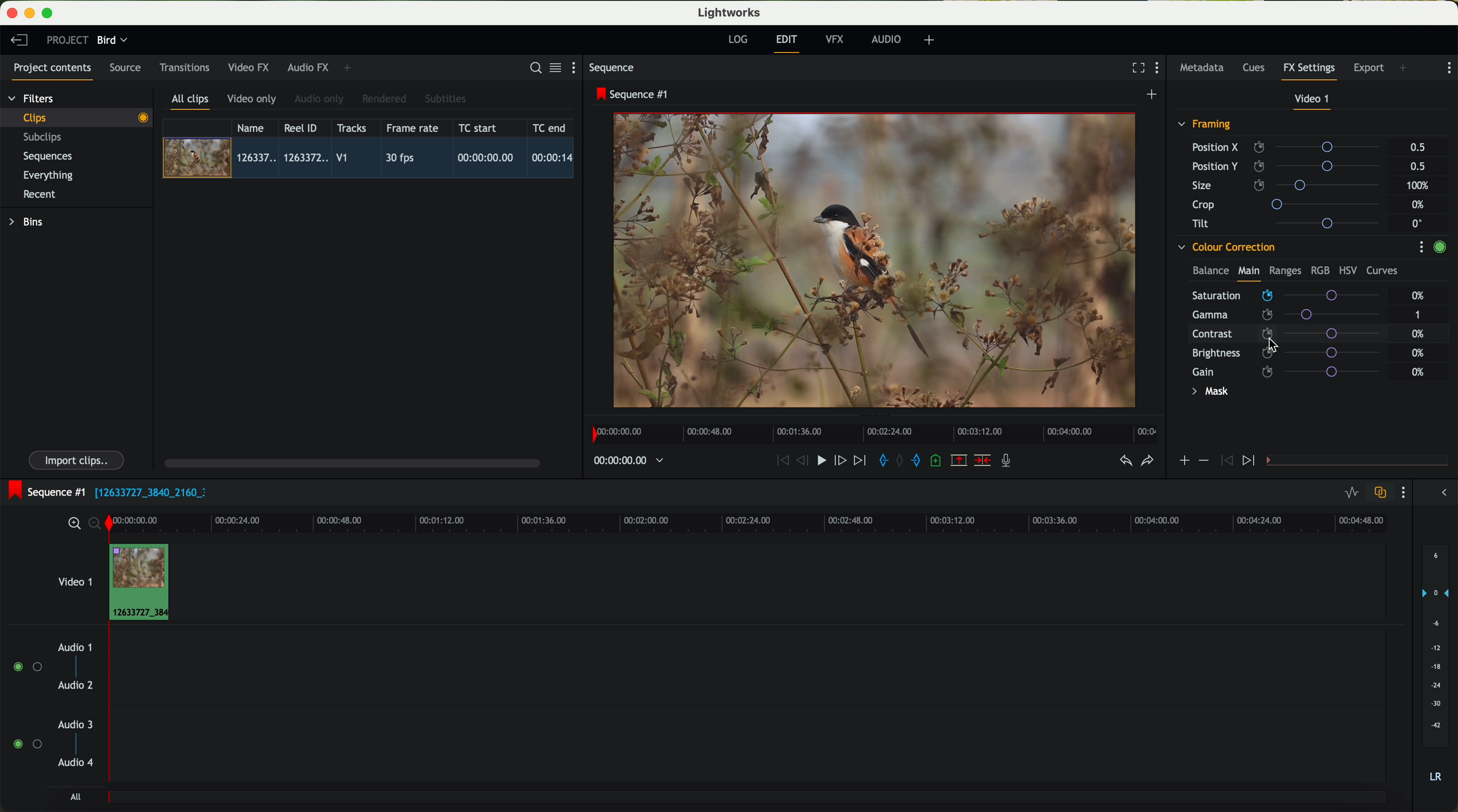 The height and width of the screenshot is (812, 1458). What do you see at coordinates (350, 128) in the screenshot?
I see `tracks` at bounding box center [350, 128].